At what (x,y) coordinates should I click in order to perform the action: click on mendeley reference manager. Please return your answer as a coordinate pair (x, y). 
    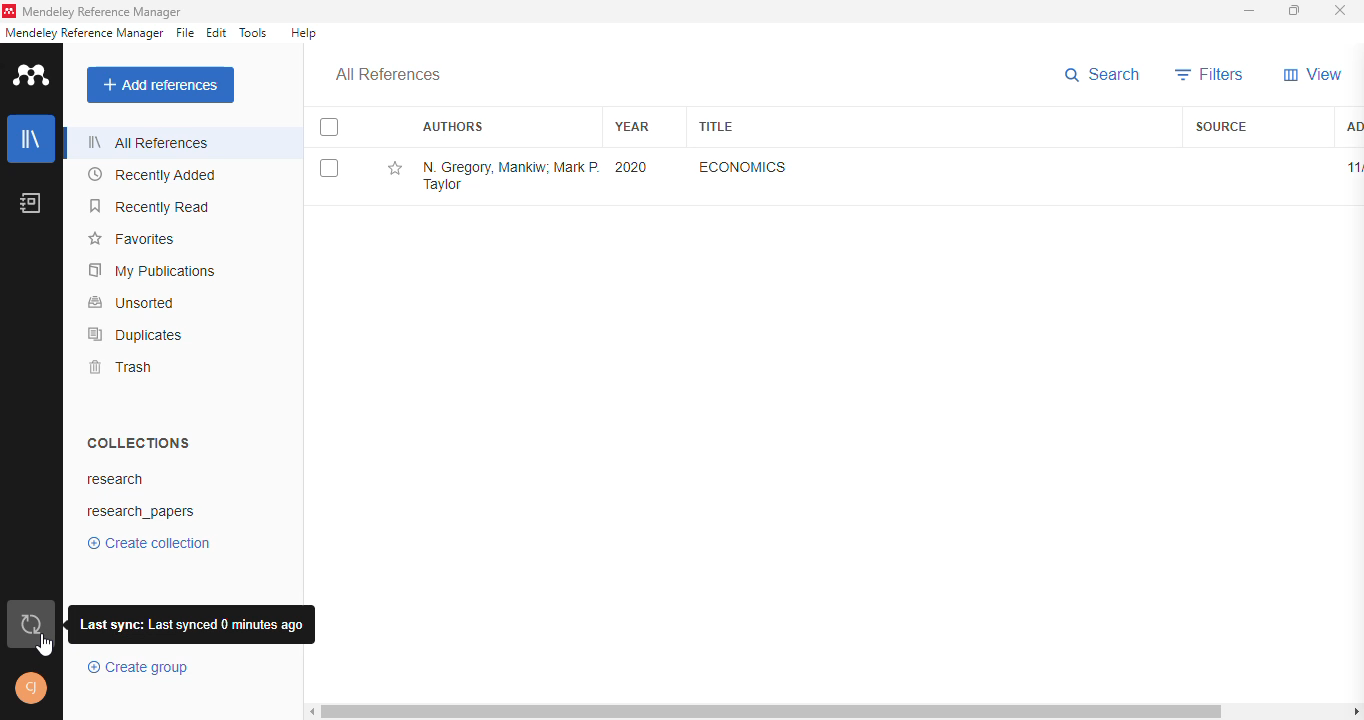
    Looking at the image, I should click on (103, 11).